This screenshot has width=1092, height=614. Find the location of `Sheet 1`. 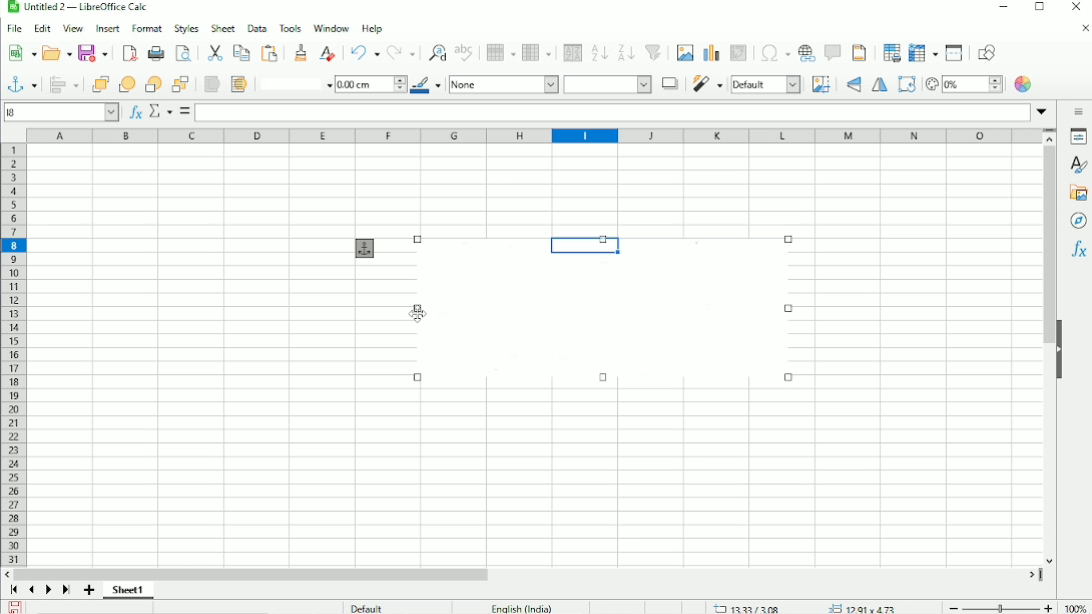

Sheet 1 is located at coordinates (128, 590).